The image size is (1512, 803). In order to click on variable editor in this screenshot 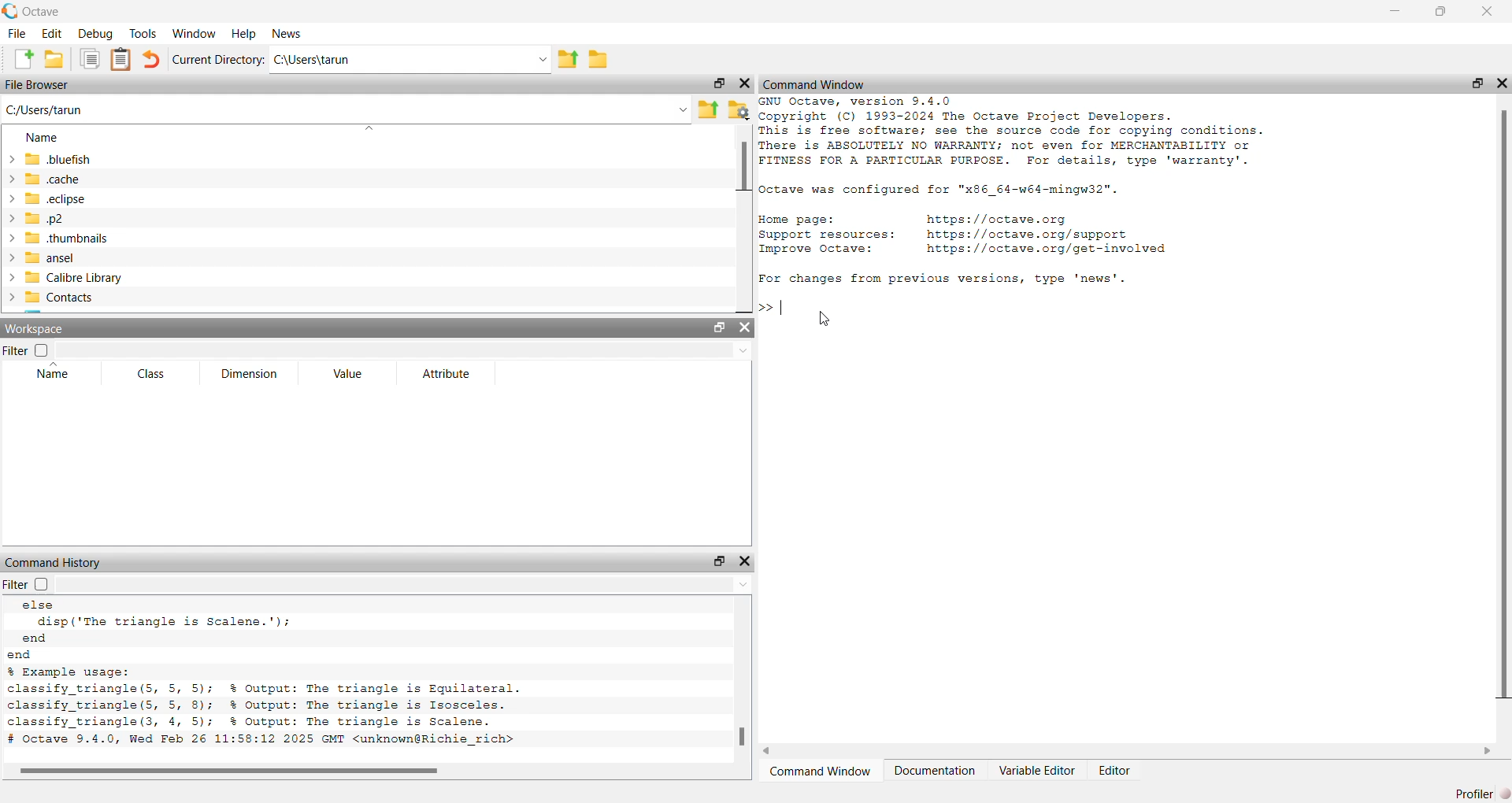, I will do `click(1034, 771)`.